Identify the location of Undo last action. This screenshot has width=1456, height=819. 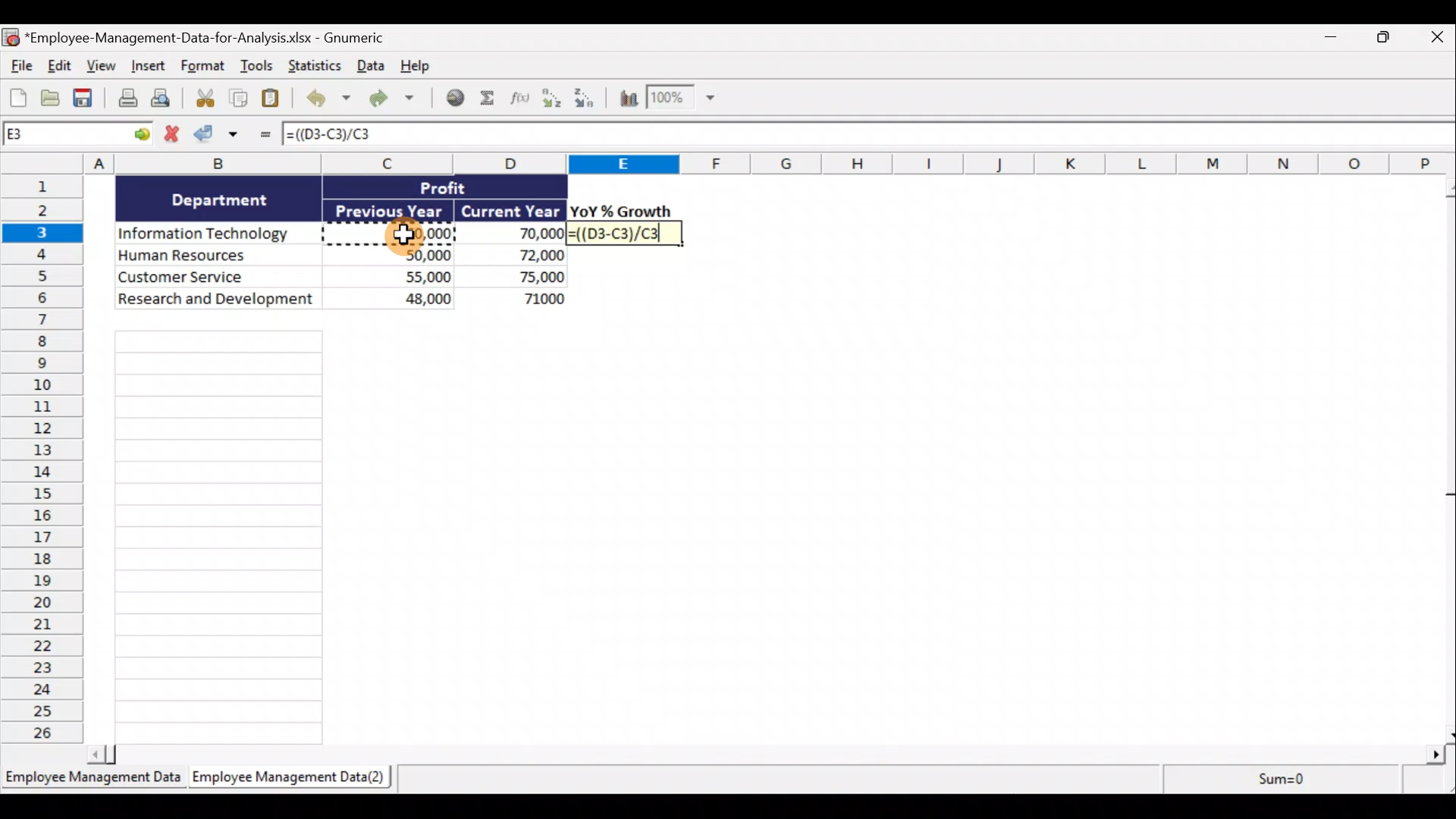
(325, 99).